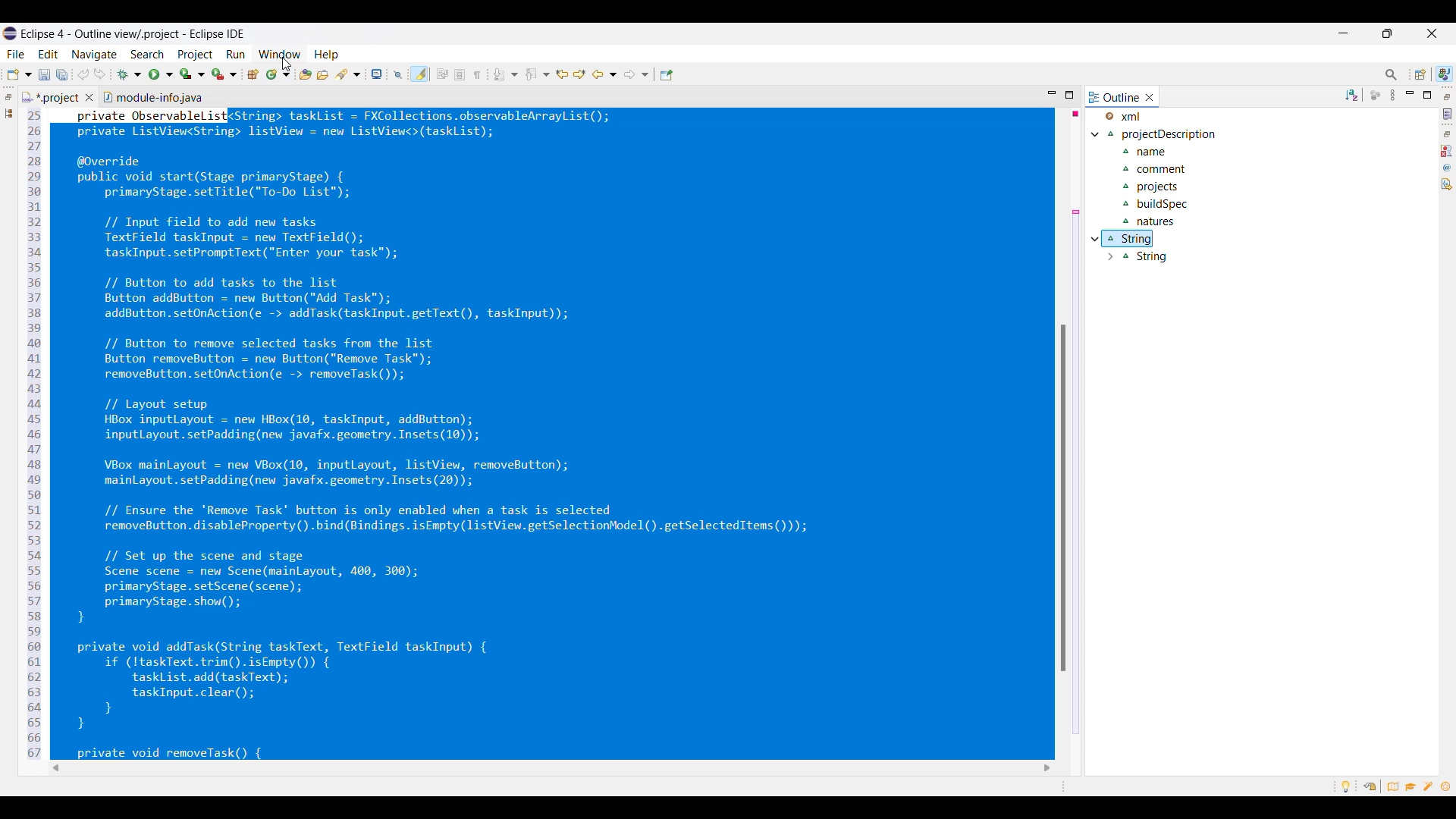 Image resolution: width=1456 pixels, height=819 pixels. I want to click on Save all, so click(62, 74).